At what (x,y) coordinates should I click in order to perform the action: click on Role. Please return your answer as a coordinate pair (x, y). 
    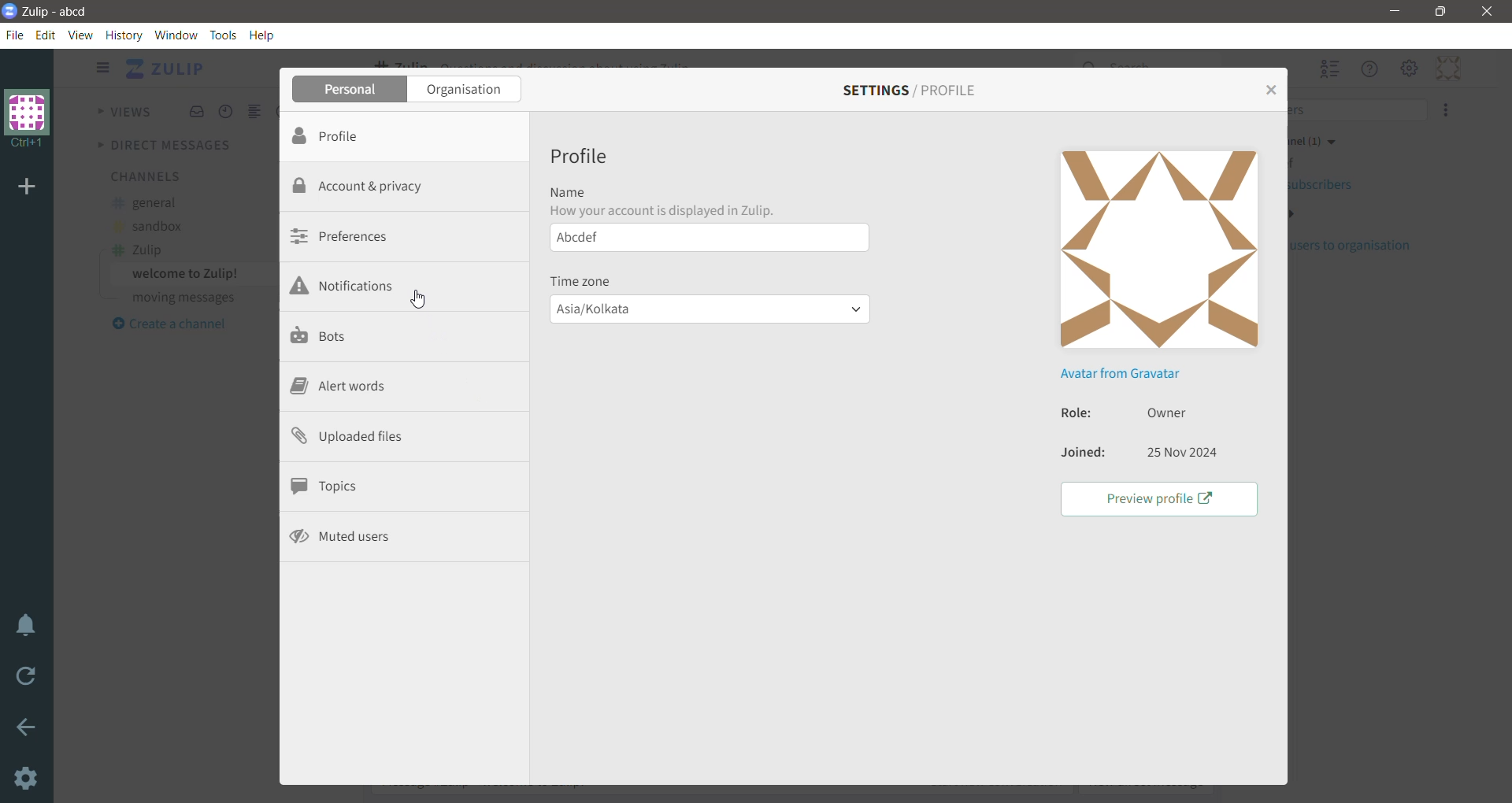
    Looking at the image, I should click on (1071, 413).